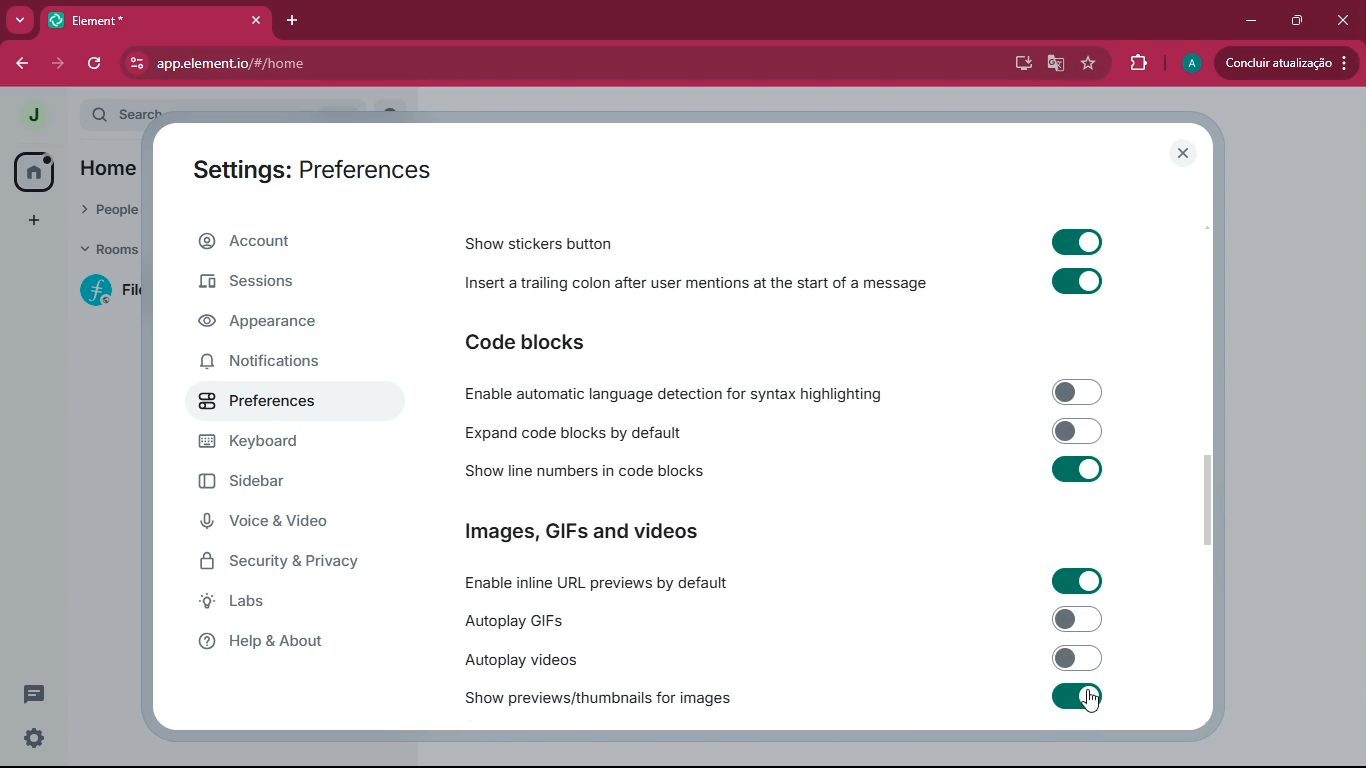 Image resolution: width=1366 pixels, height=768 pixels. Describe the element at coordinates (266, 282) in the screenshot. I see `Sessions` at that location.